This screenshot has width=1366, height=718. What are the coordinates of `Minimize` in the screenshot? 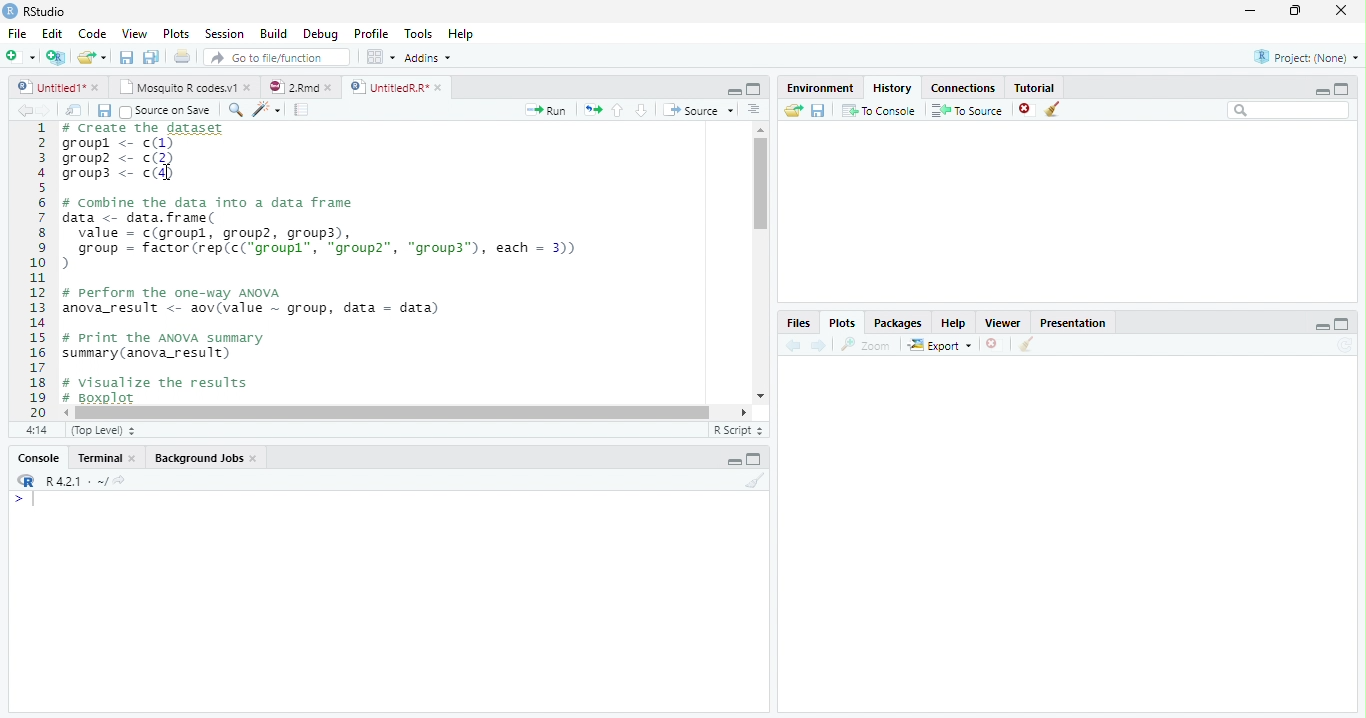 It's located at (1251, 12).